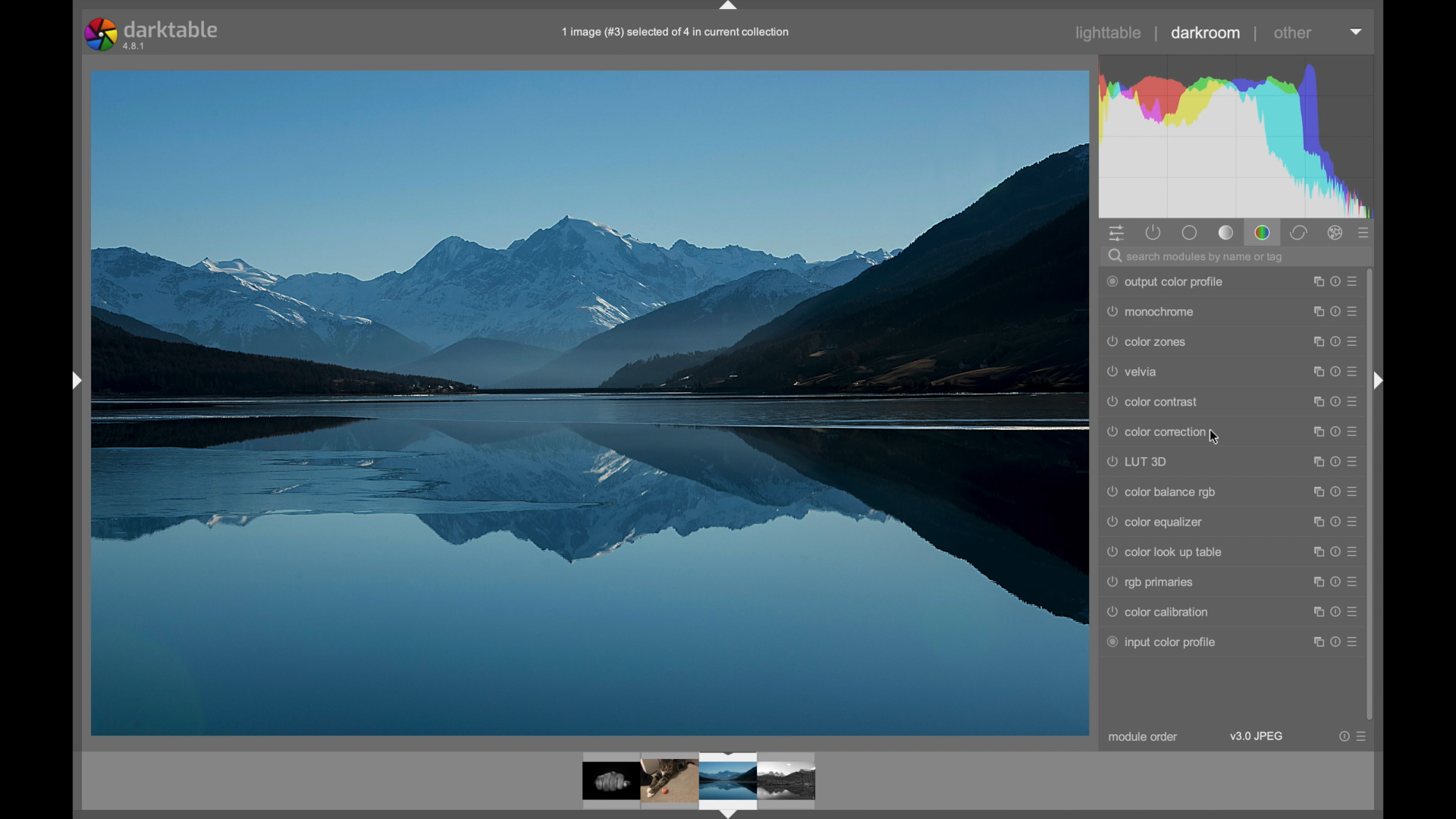 The height and width of the screenshot is (819, 1456). Describe the element at coordinates (670, 780) in the screenshot. I see `image` at that location.